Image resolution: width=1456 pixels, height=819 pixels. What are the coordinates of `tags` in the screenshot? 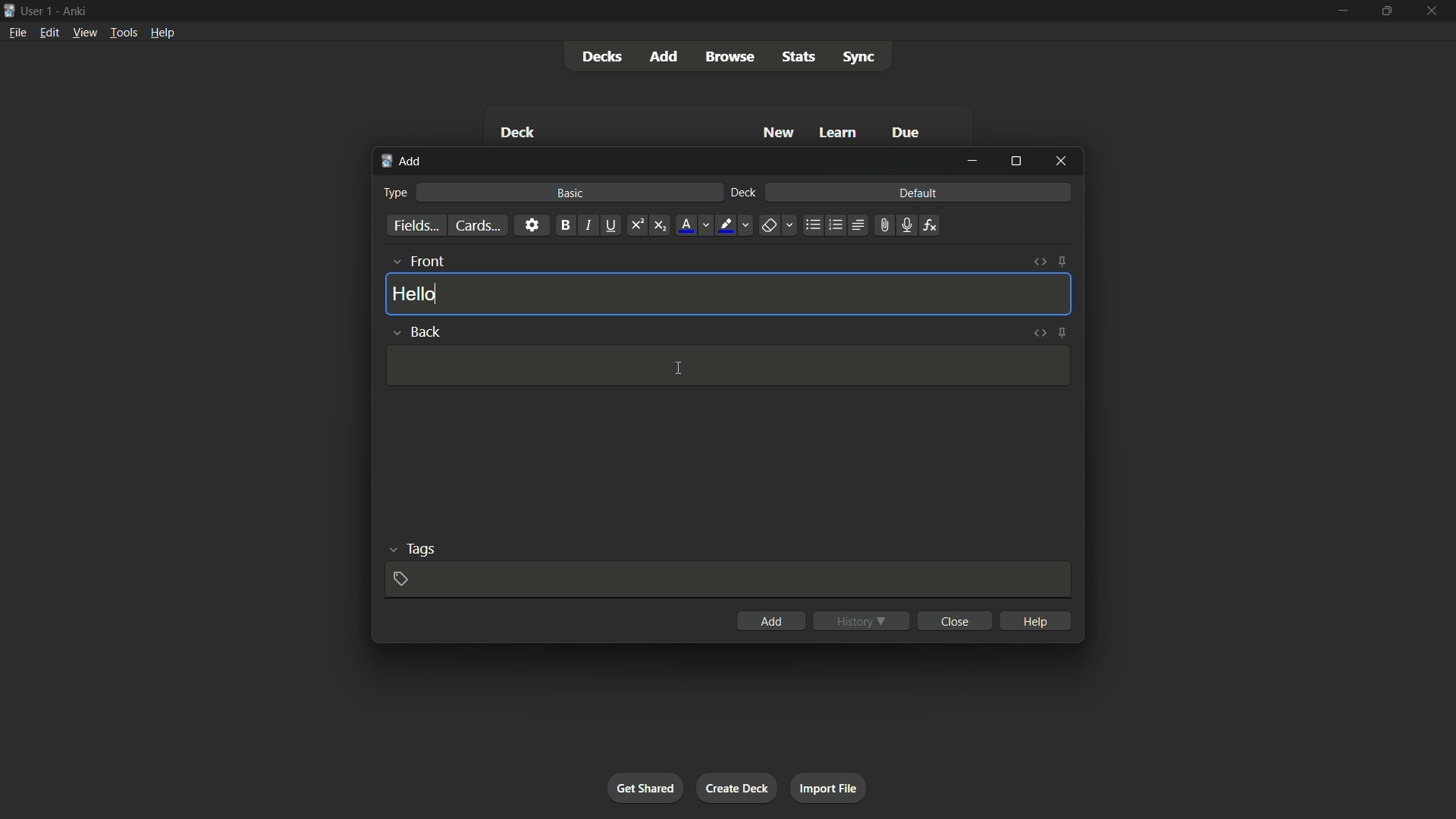 It's located at (411, 548).